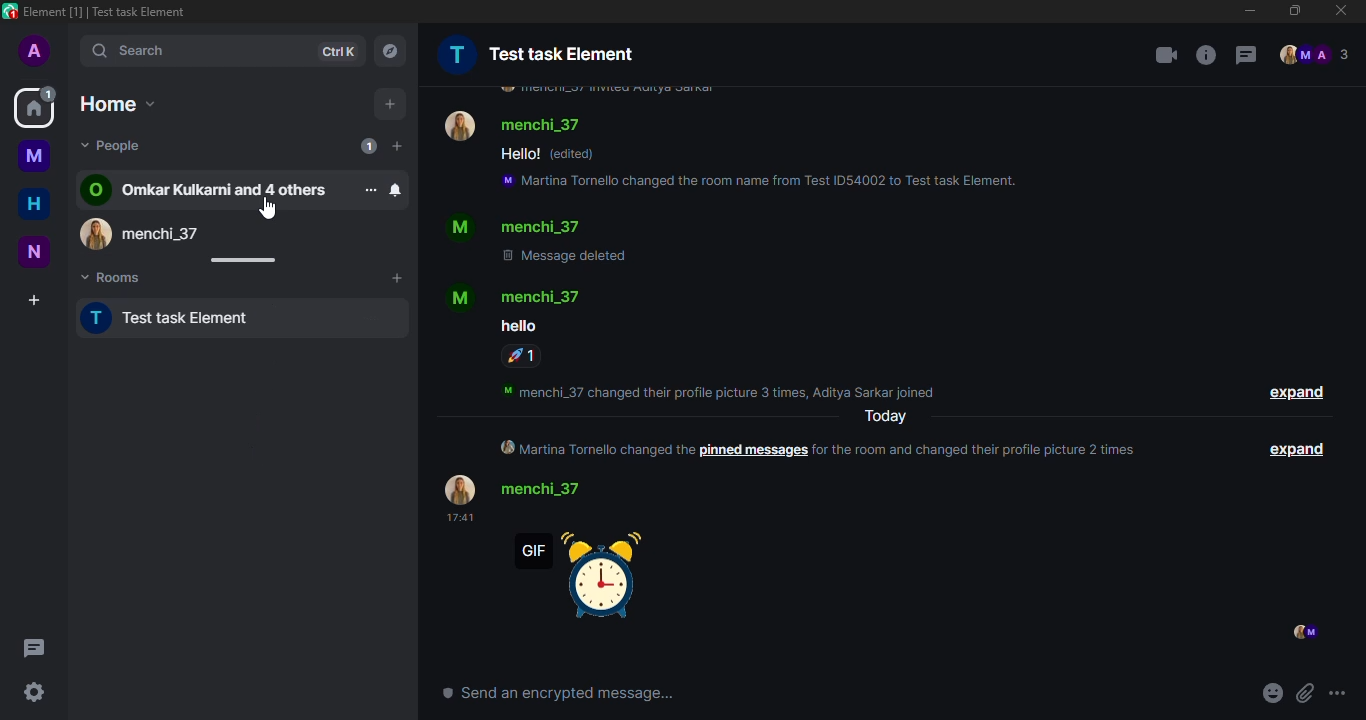 The width and height of the screenshot is (1366, 720). What do you see at coordinates (154, 230) in the screenshot?
I see `menchi_37` at bounding box center [154, 230].